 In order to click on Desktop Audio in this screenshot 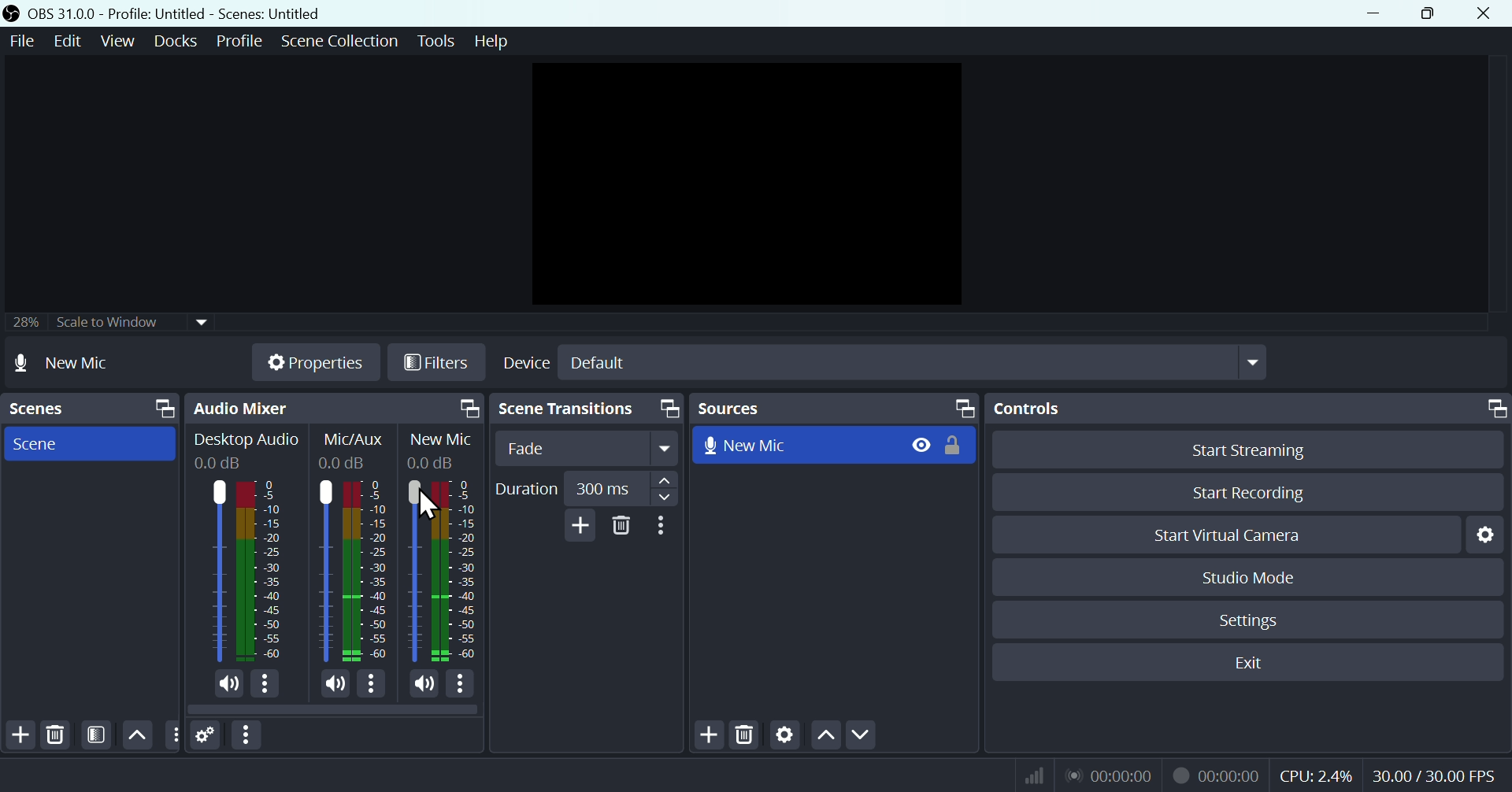, I will do `click(215, 571)`.